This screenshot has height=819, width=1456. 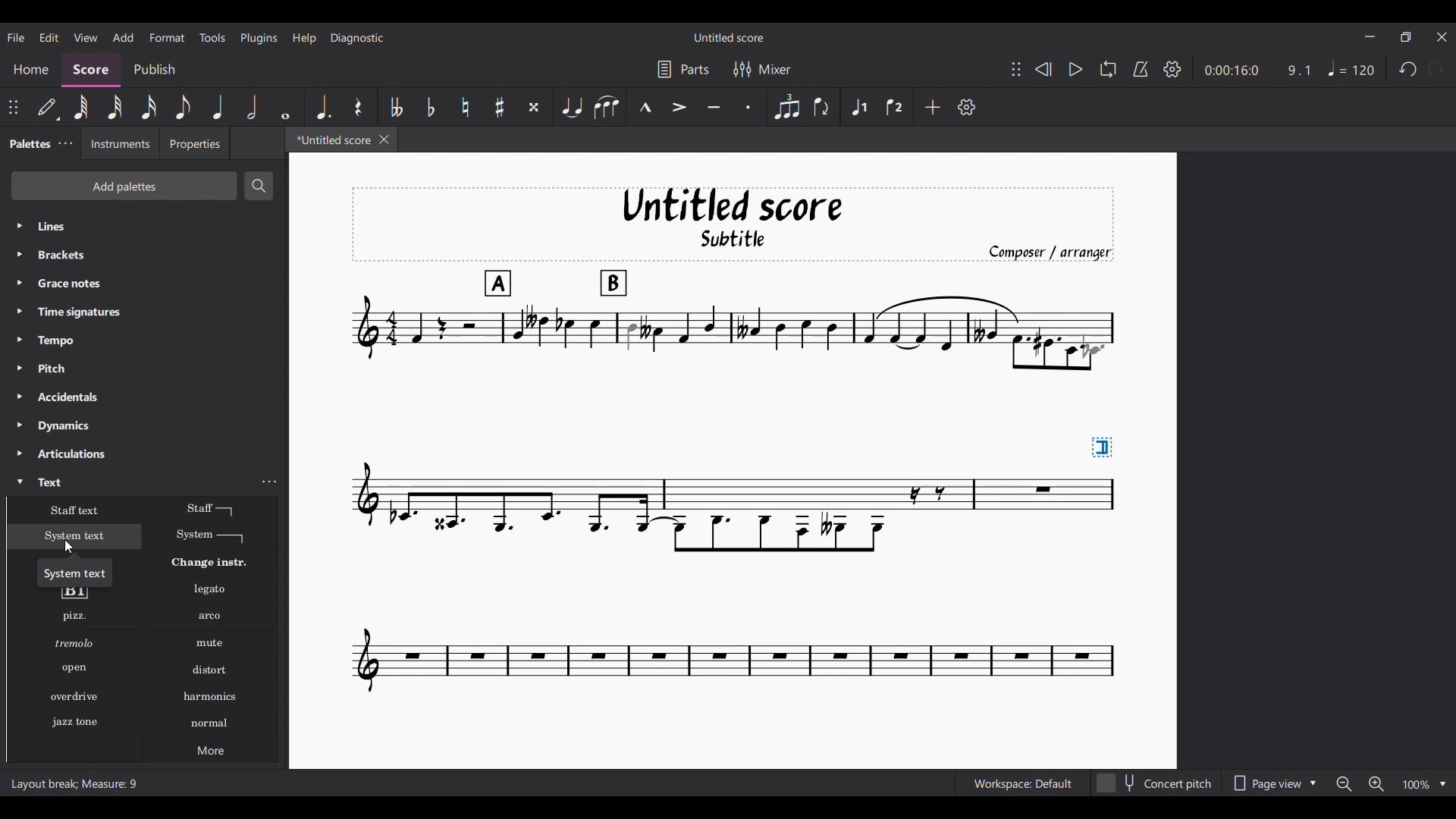 I want to click on System text line, so click(x=210, y=536).